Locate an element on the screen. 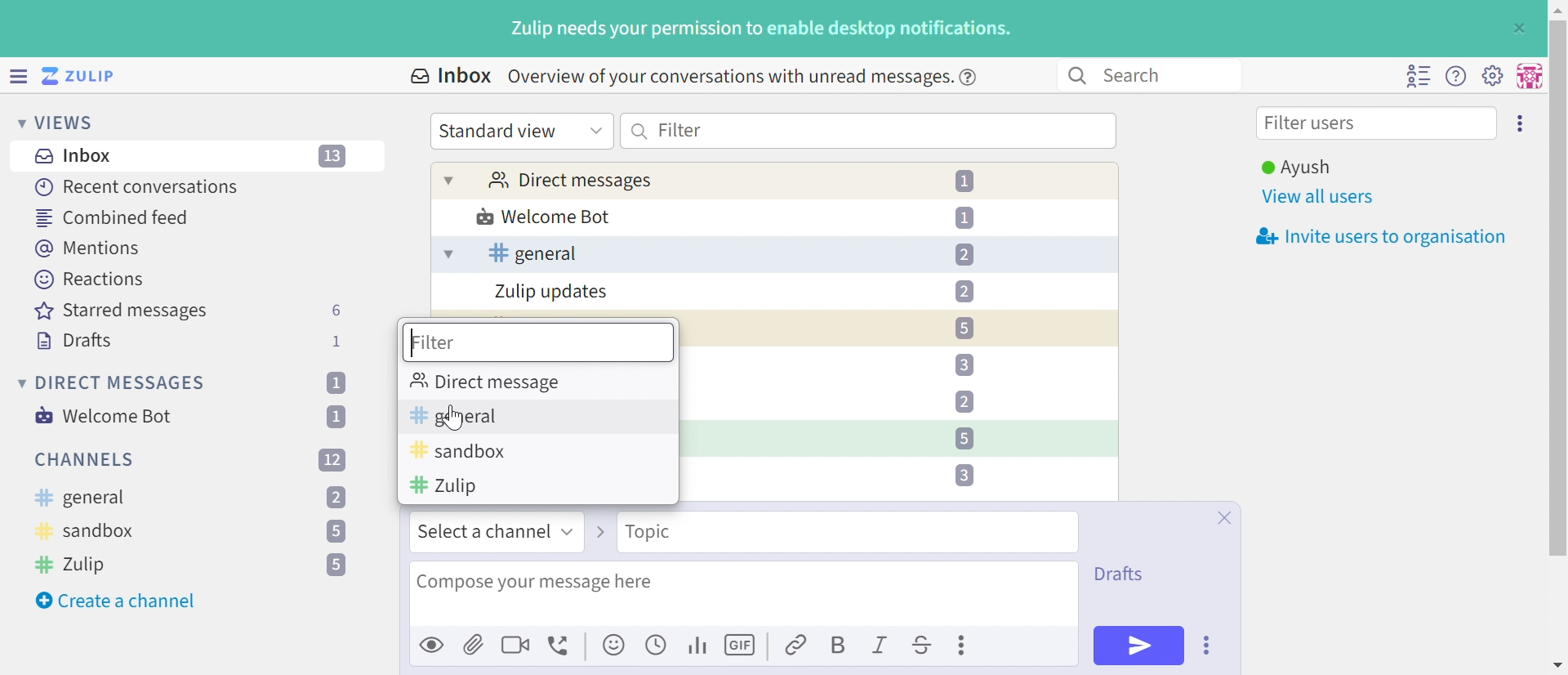 This screenshot has height=675, width=1568. 2 is located at coordinates (964, 291).